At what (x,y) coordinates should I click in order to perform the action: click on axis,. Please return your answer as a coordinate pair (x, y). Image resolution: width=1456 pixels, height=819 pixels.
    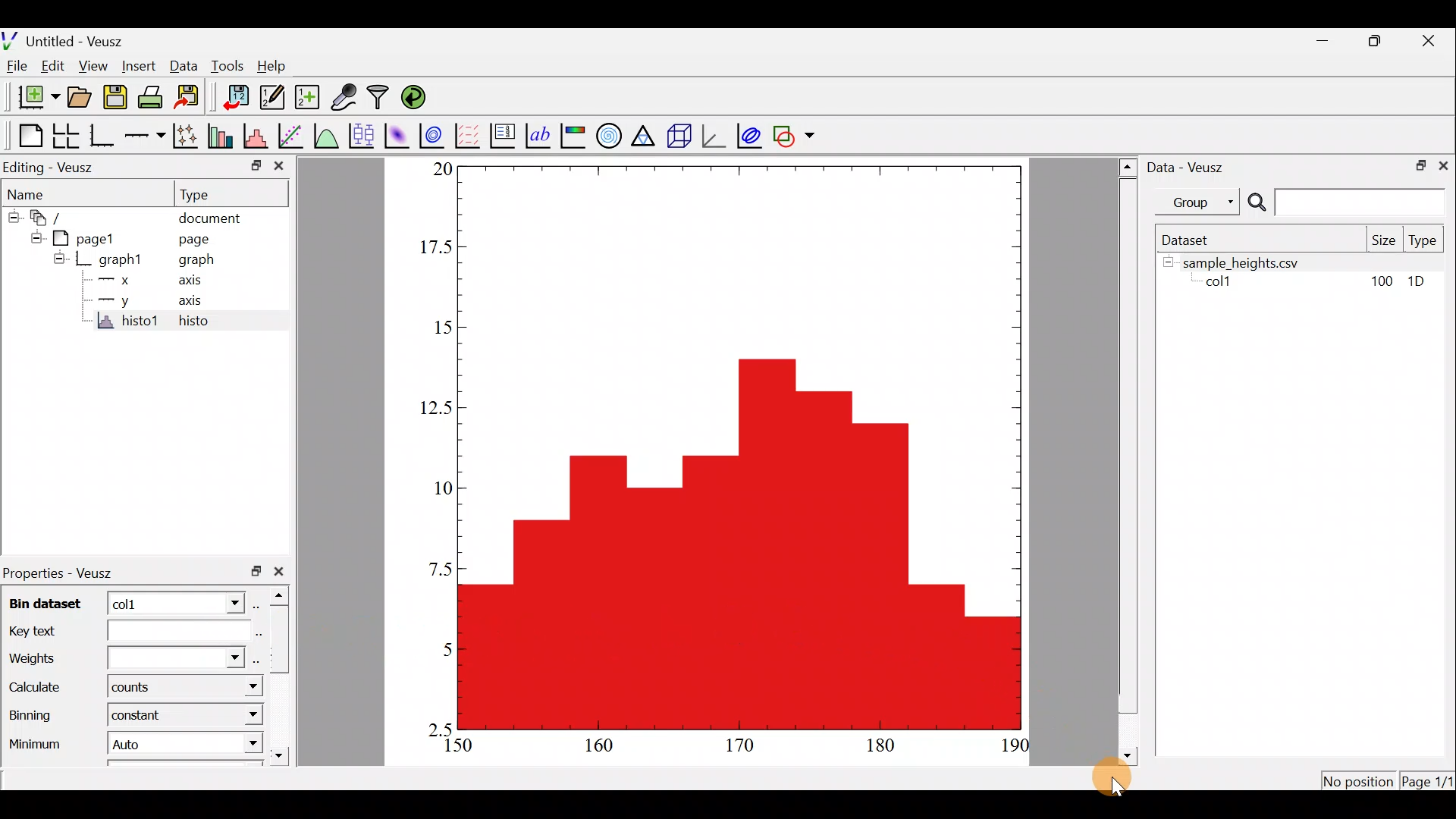
    Looking at the image, I should click on (190, 301).